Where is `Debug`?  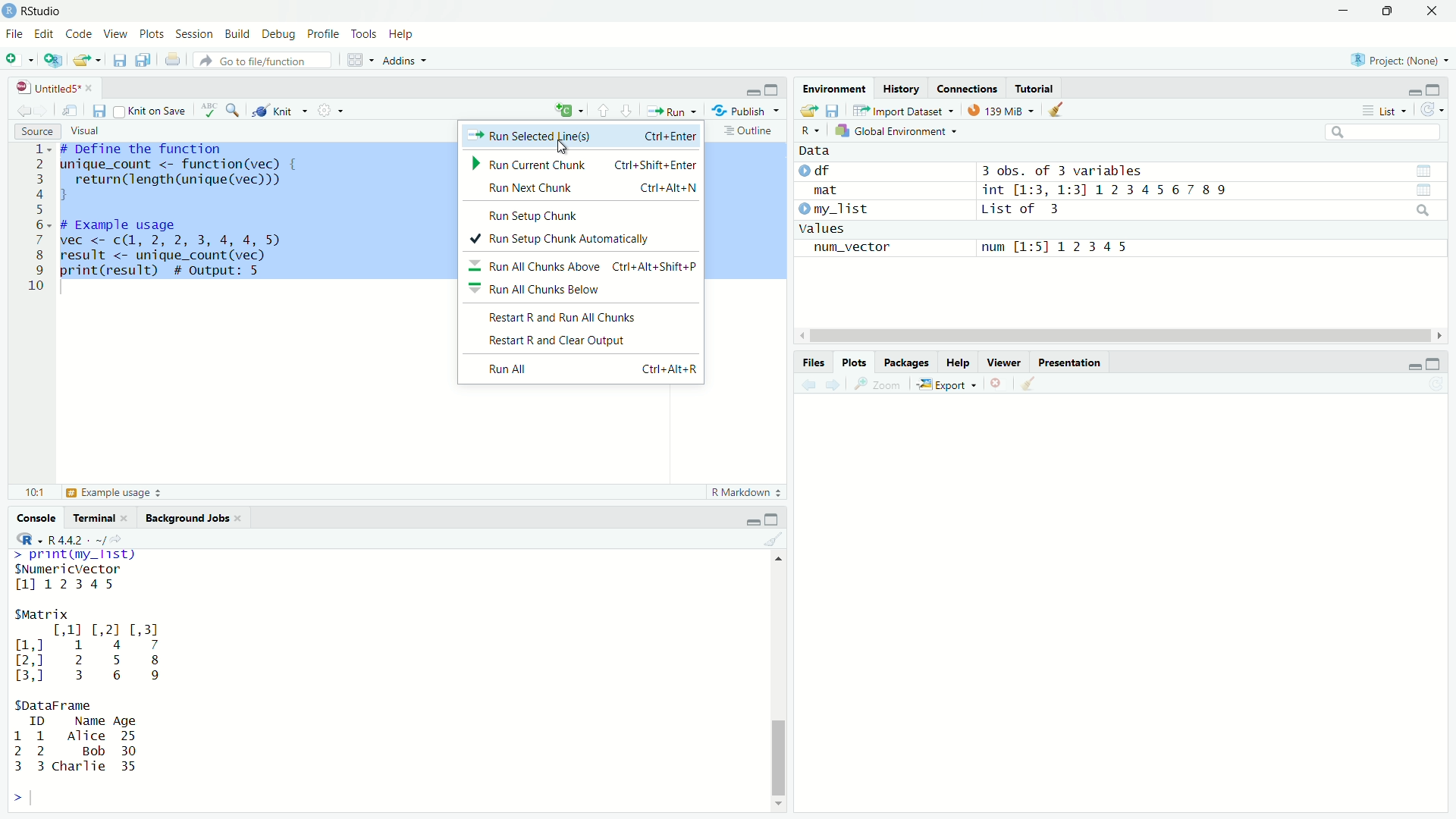 Debug is located at coordinates (280, 34).